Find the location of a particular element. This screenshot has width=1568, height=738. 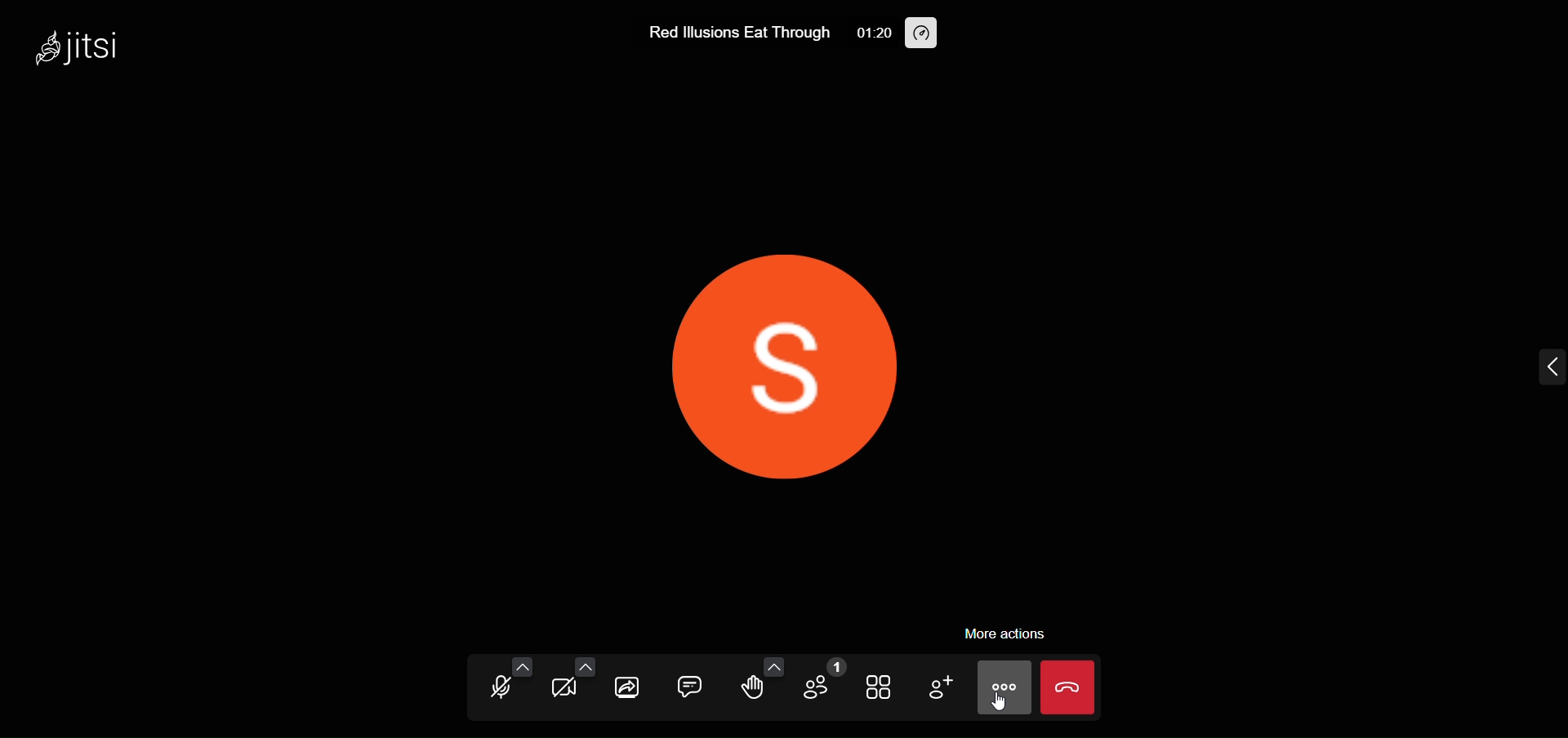

01:20 is located at coordinates (872, 35).